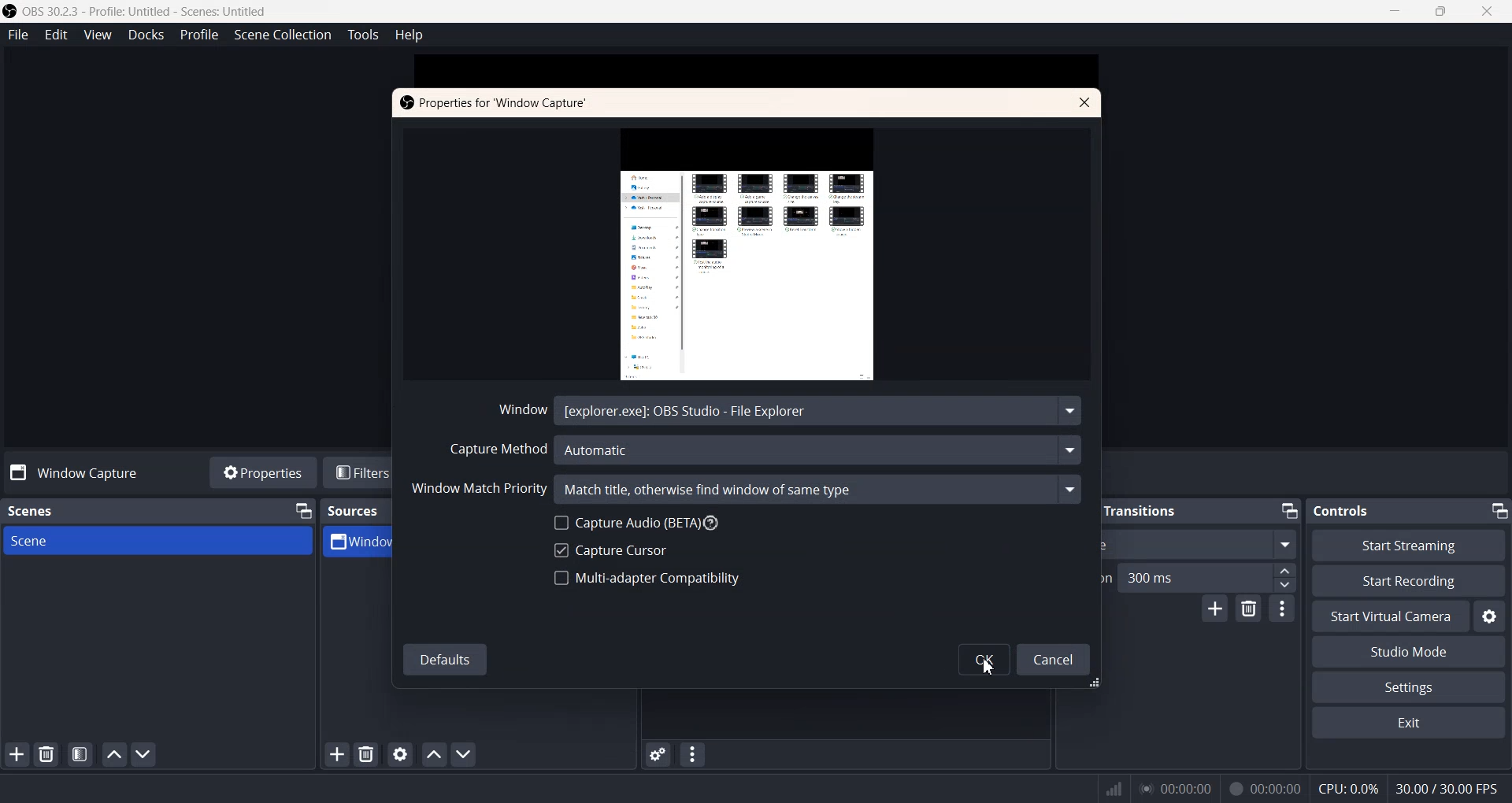 The height and width of the screenshot is (803, 1512). I want to click on Settings, so click(1488, 616).